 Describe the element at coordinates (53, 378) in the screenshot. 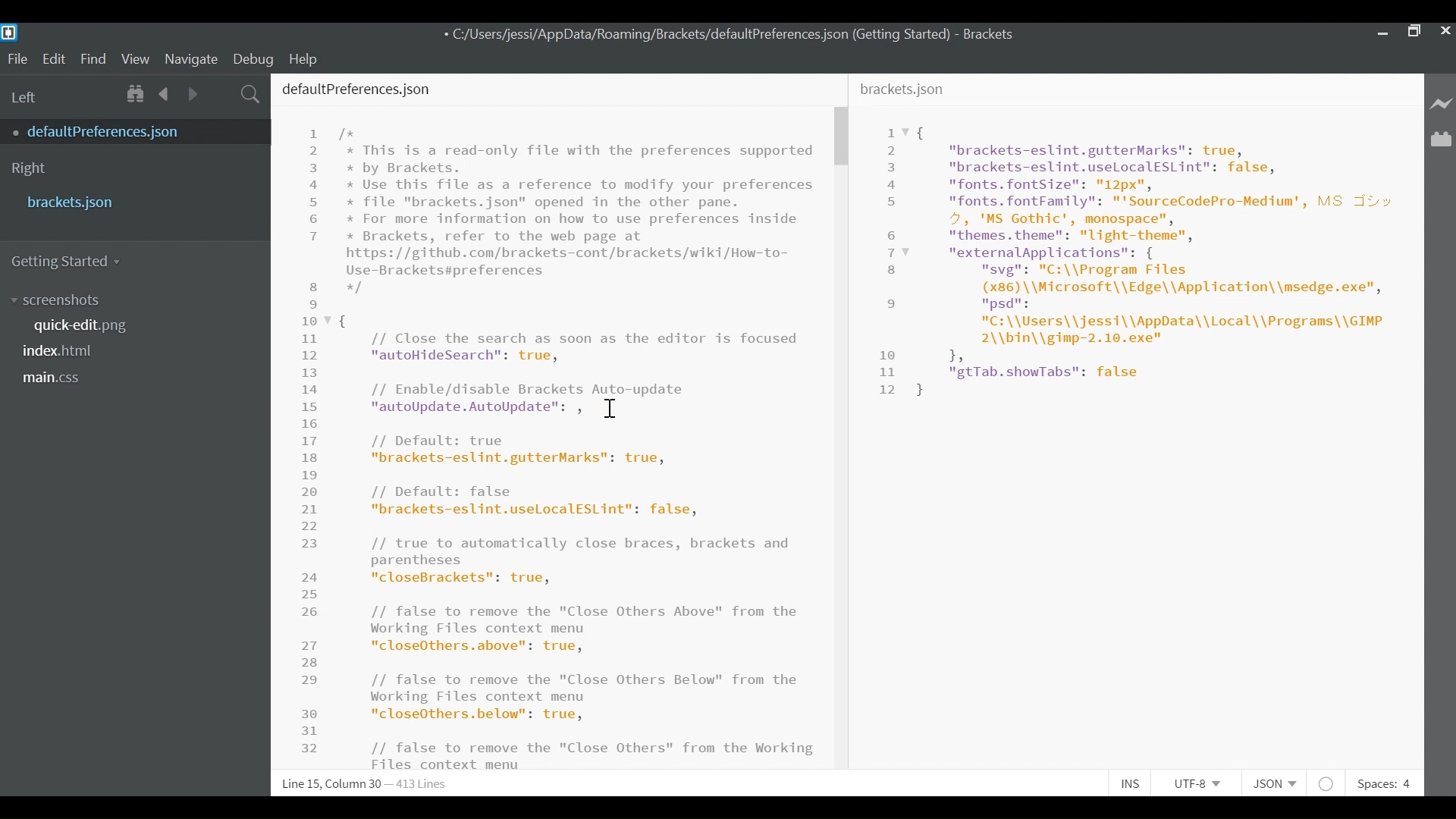

I see `main.css` at that location.